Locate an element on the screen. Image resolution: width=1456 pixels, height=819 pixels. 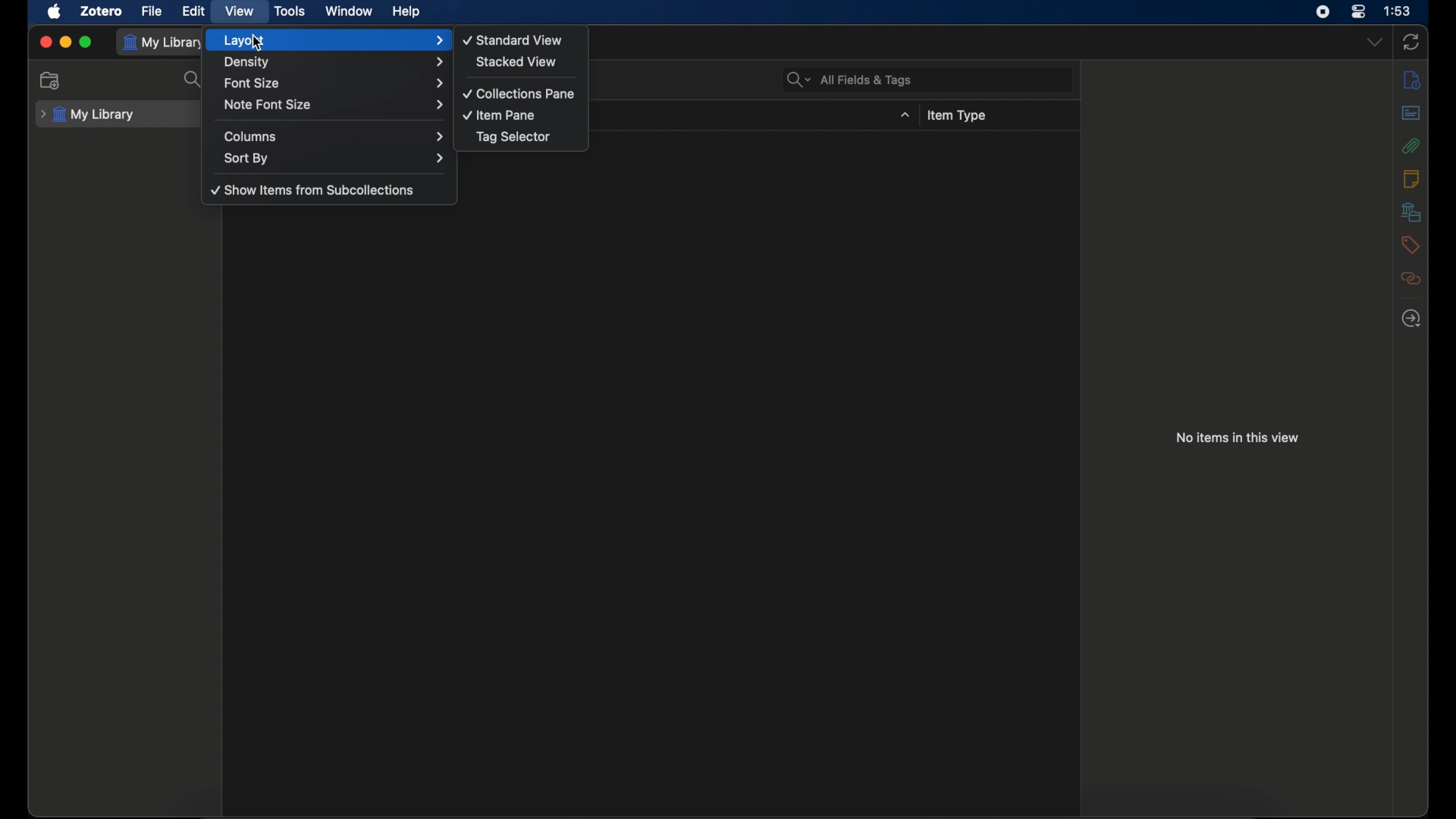
apple icon is located at coordinates (55, 12).